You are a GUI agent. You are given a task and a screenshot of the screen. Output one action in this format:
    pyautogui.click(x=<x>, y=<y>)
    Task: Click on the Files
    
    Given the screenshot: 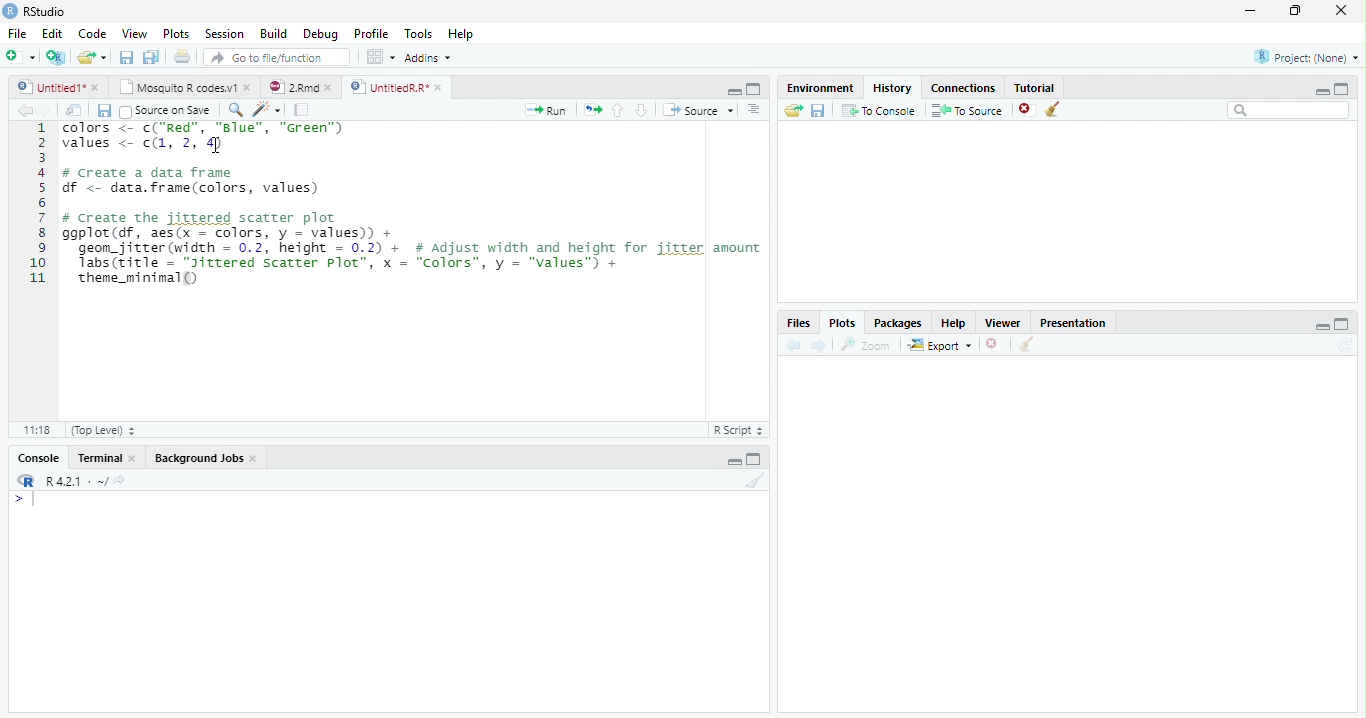 What is the action you would take?
    pyautogui.click(x=799, y=323)
    